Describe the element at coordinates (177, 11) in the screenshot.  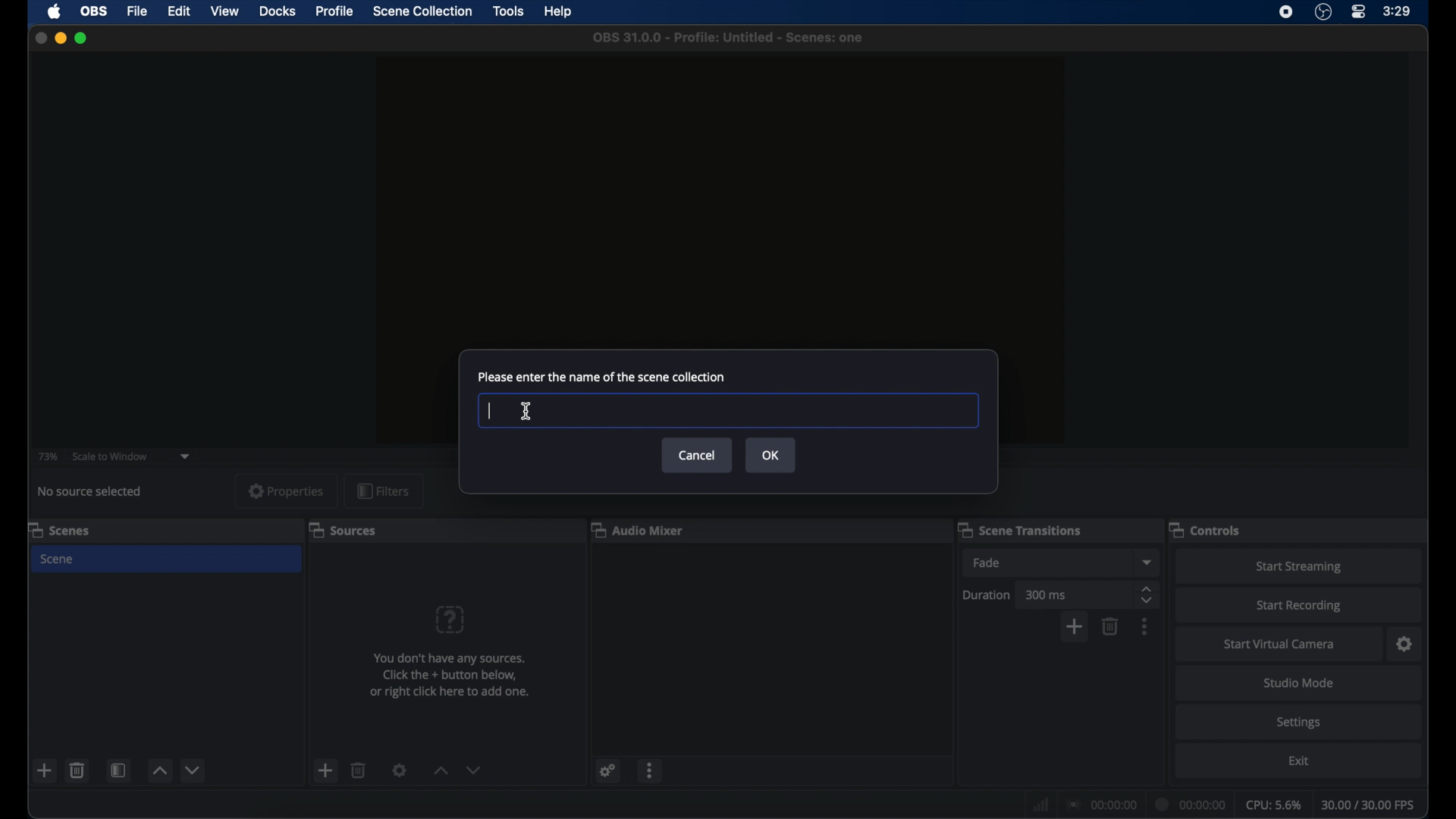
I see `edit` at that location.